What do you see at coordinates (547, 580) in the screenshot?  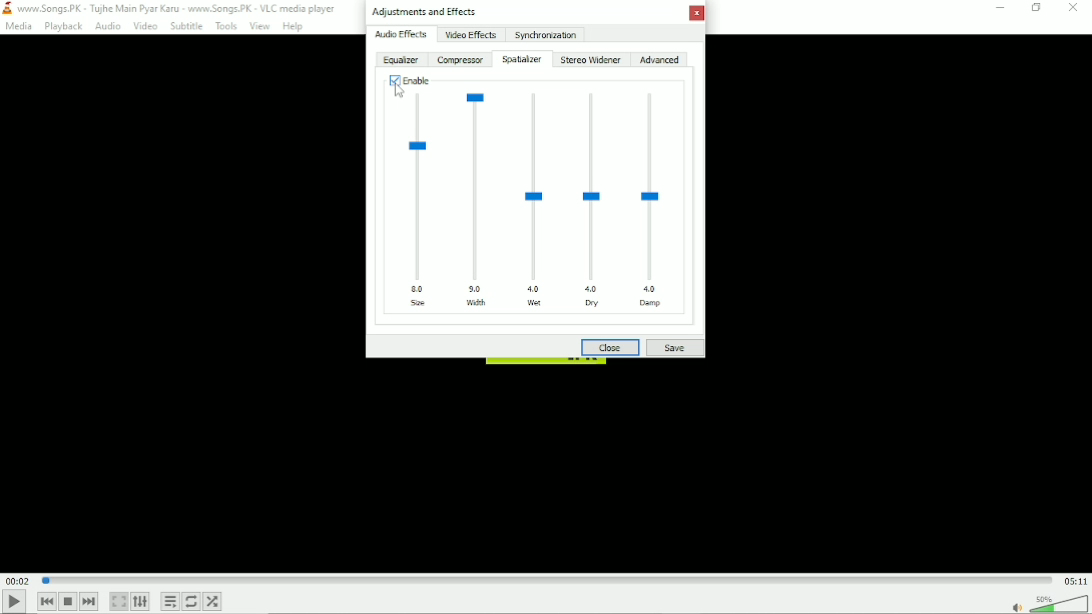 I see `Play duration` at bounding box center [547, 580].